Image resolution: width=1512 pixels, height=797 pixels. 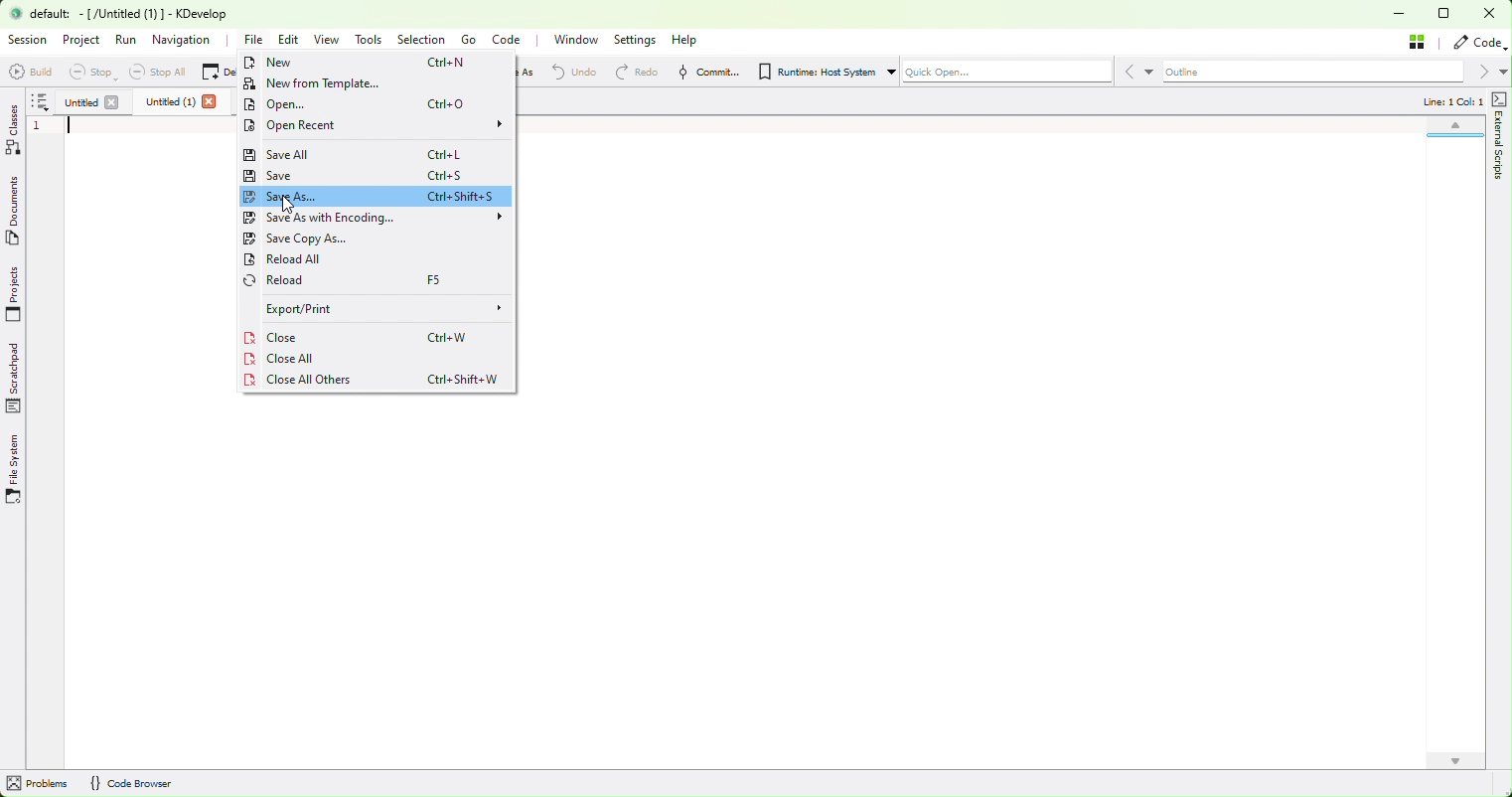 I want to click on View, so click(x=328, y=40).